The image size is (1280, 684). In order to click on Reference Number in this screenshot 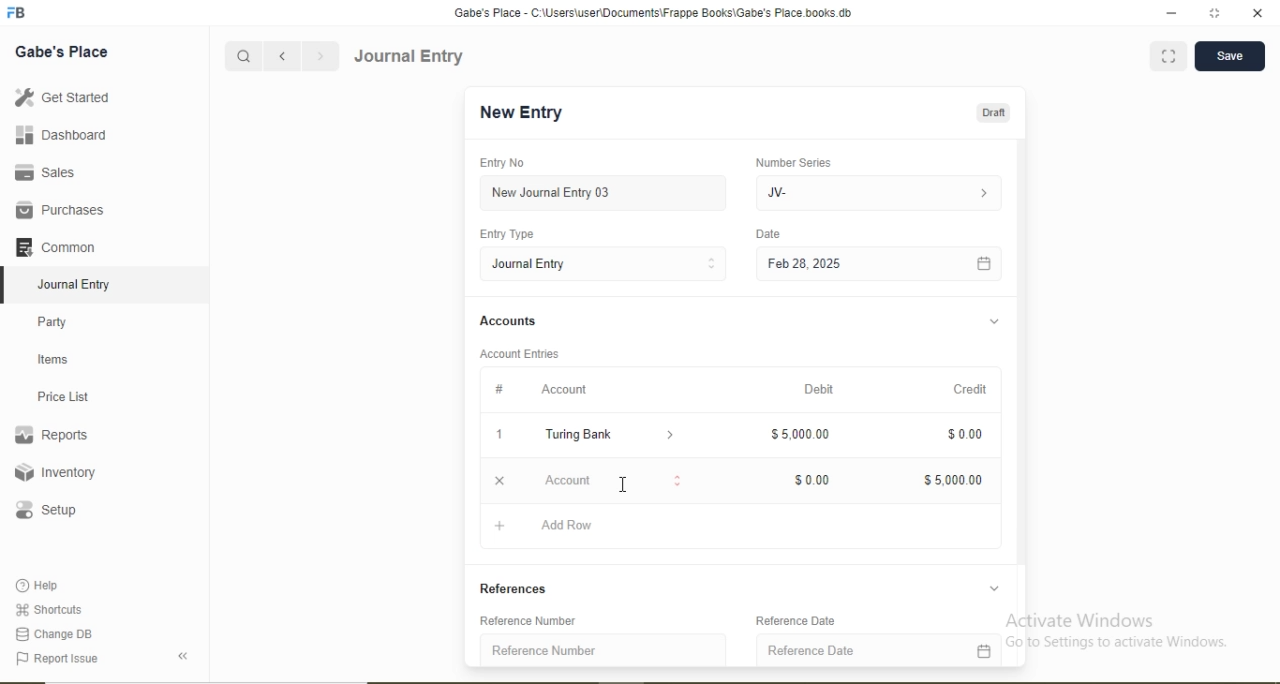, I will do `click(529, 620)`.